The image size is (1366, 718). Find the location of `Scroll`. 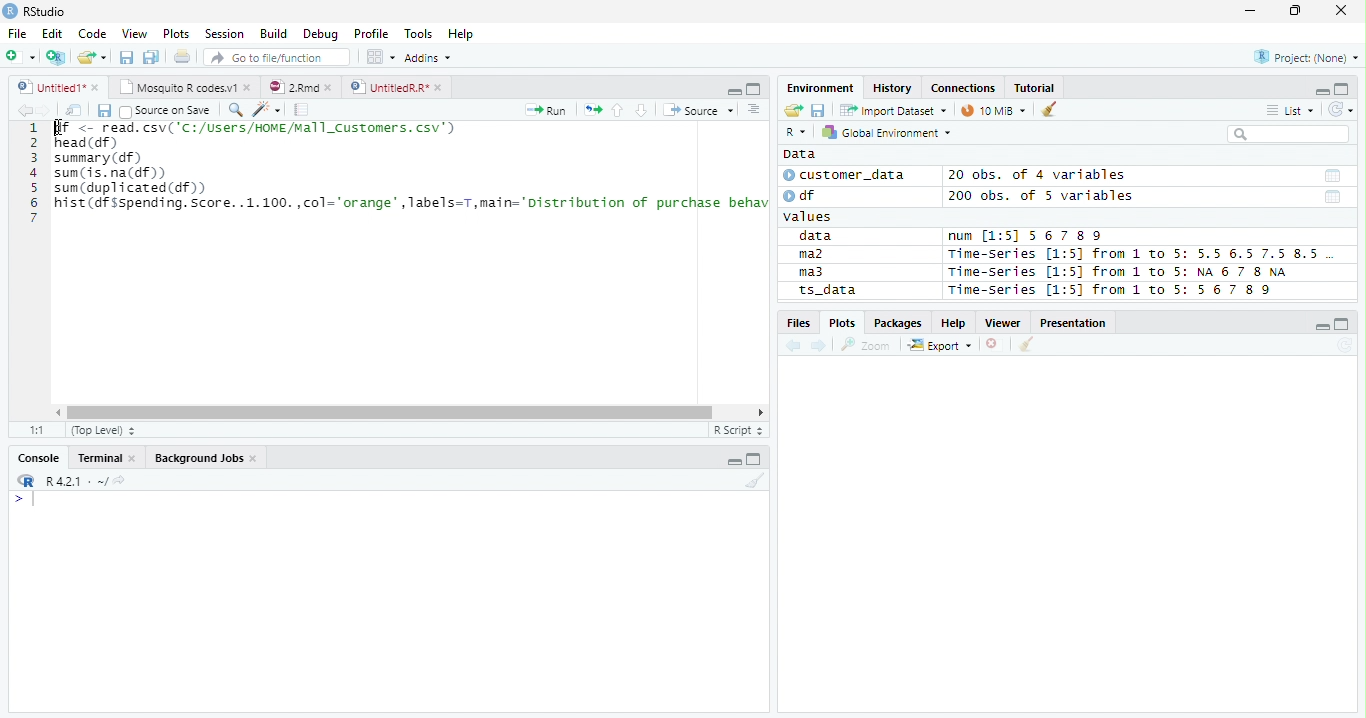

Scroll is located at coordinates (407, 414).